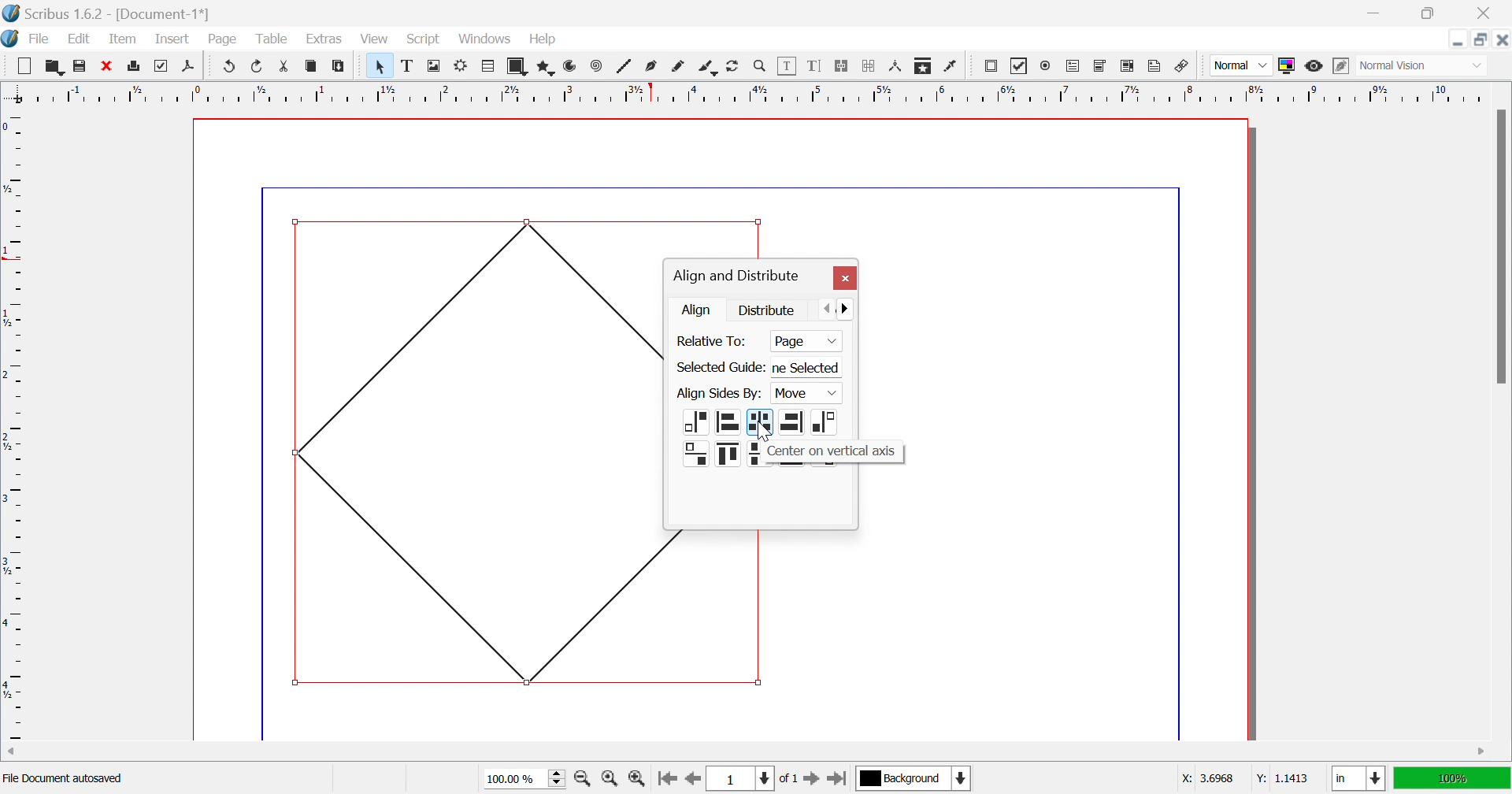  What do you see at coordinates (787, 780) in the screenshot?
I see `of 1` at bounding box center [787, 780].